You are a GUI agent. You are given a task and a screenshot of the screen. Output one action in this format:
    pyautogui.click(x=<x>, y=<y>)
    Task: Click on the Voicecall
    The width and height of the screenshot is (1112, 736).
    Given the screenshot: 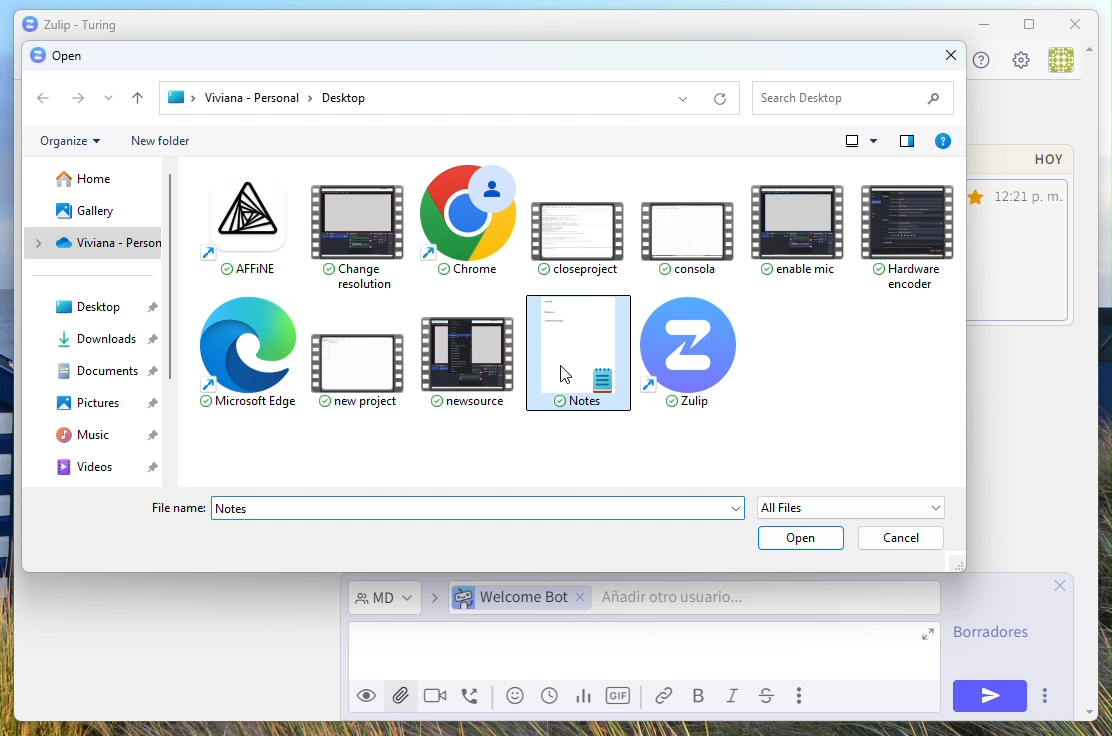 What is the action you would take?
    pyautogui.click(x=472, y=698)
    